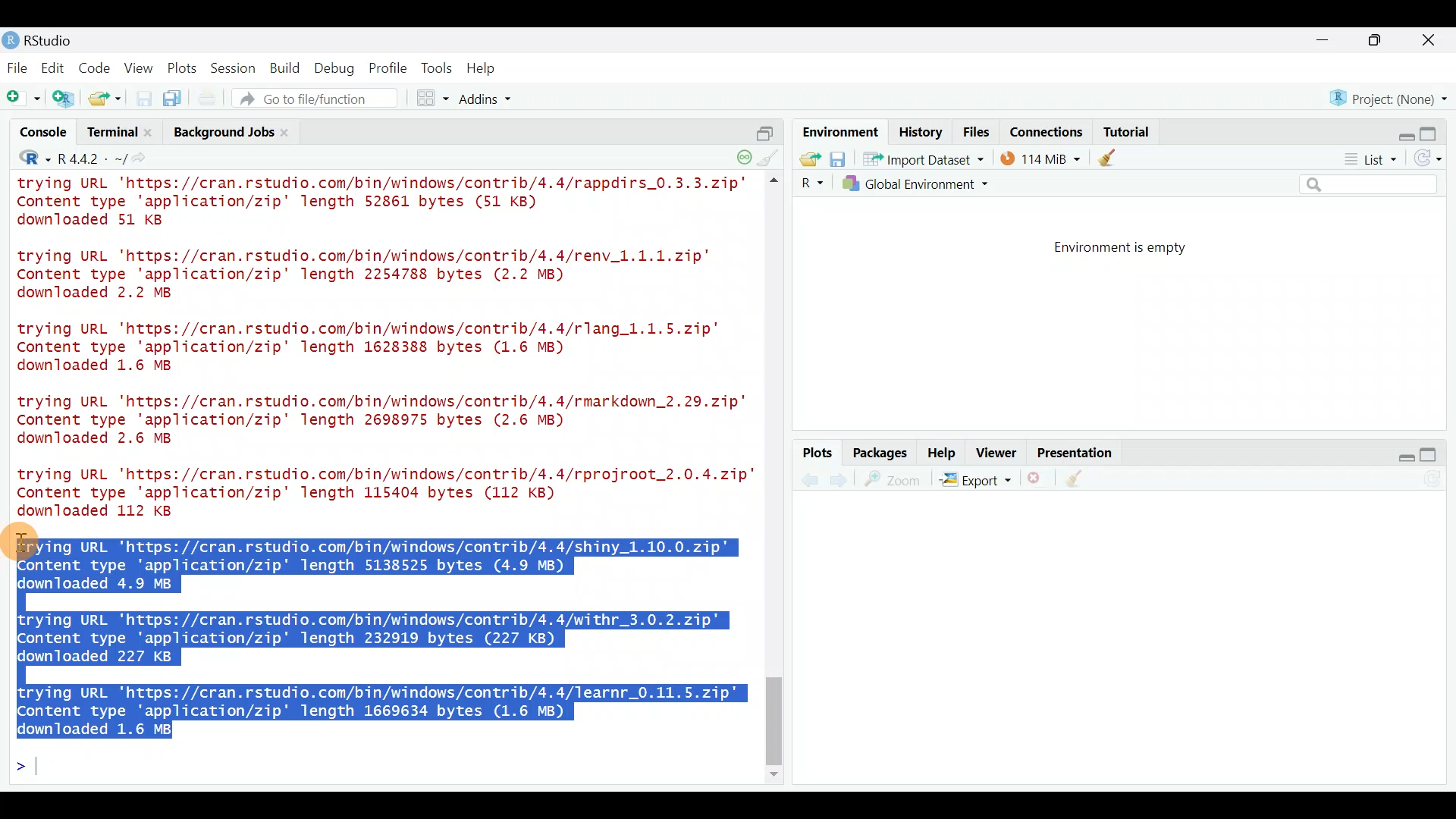 Image resolution: width=1456 pixels, height=819 pixels. What do you see at coordinates (1133, 248) in the screenshot?
I see `Environment is empty` at bounding box center [1133, 248].